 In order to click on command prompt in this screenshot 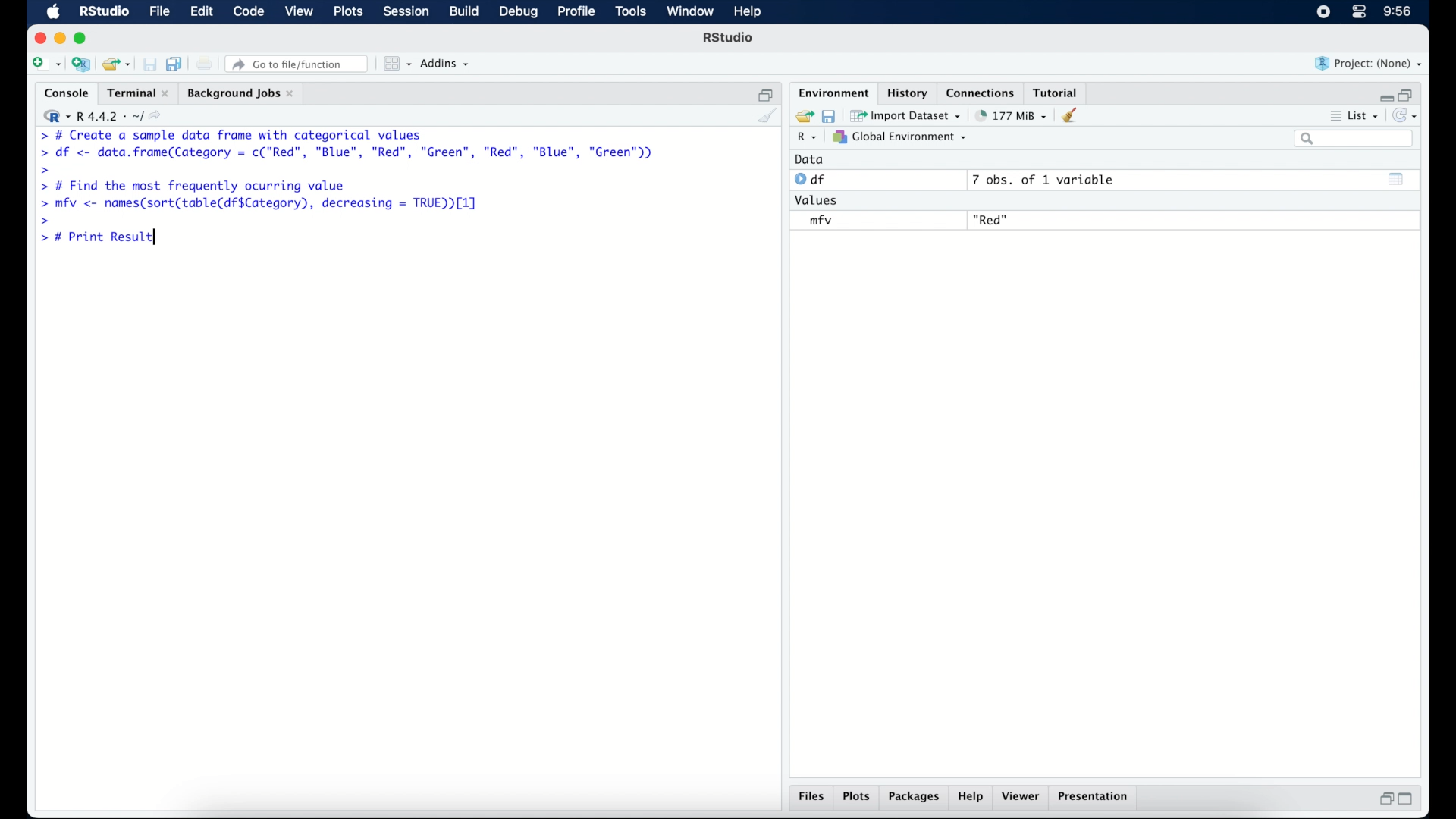, I will do `click(45, 169)`.